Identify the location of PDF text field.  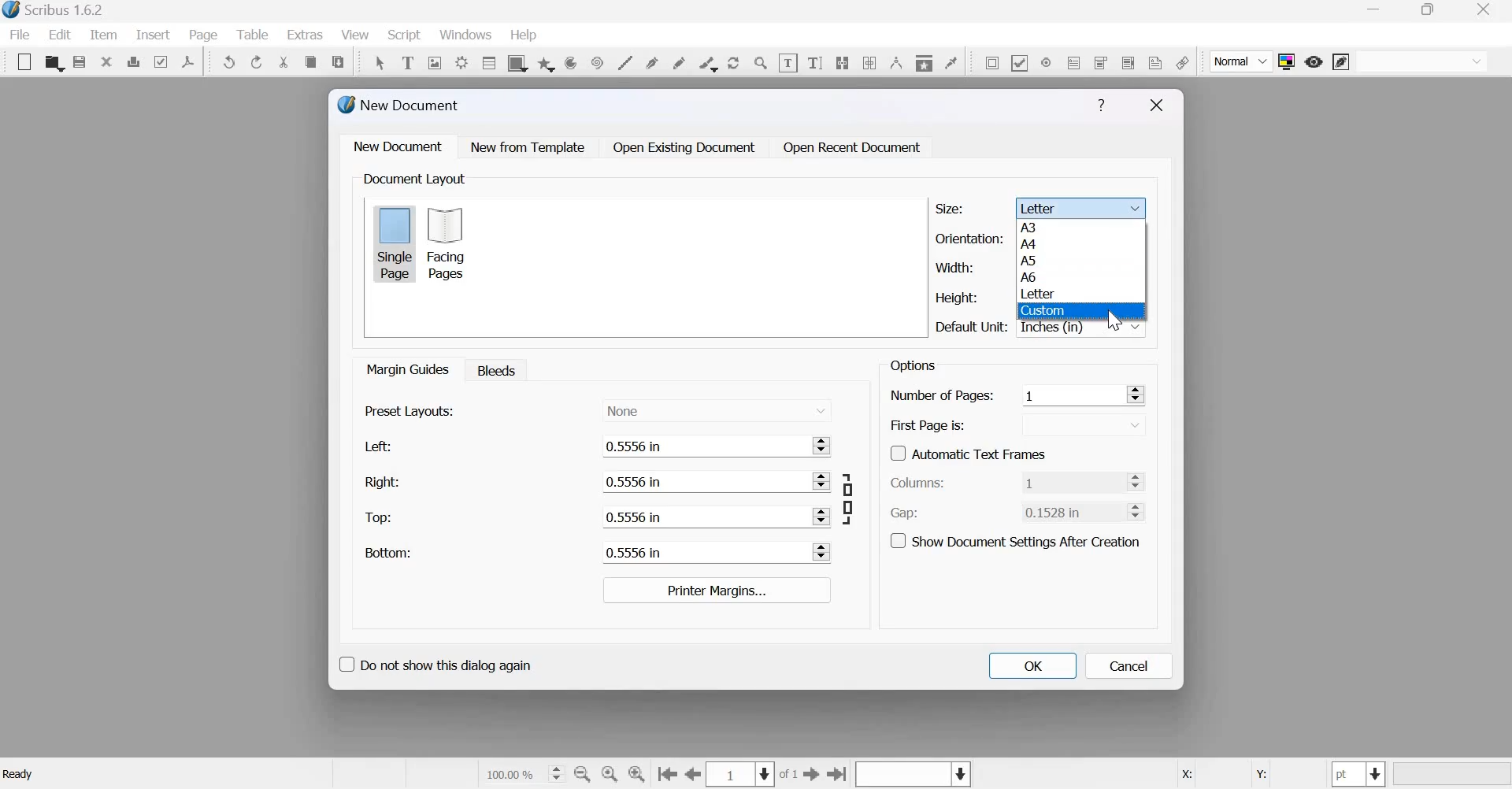
(1074, 61).